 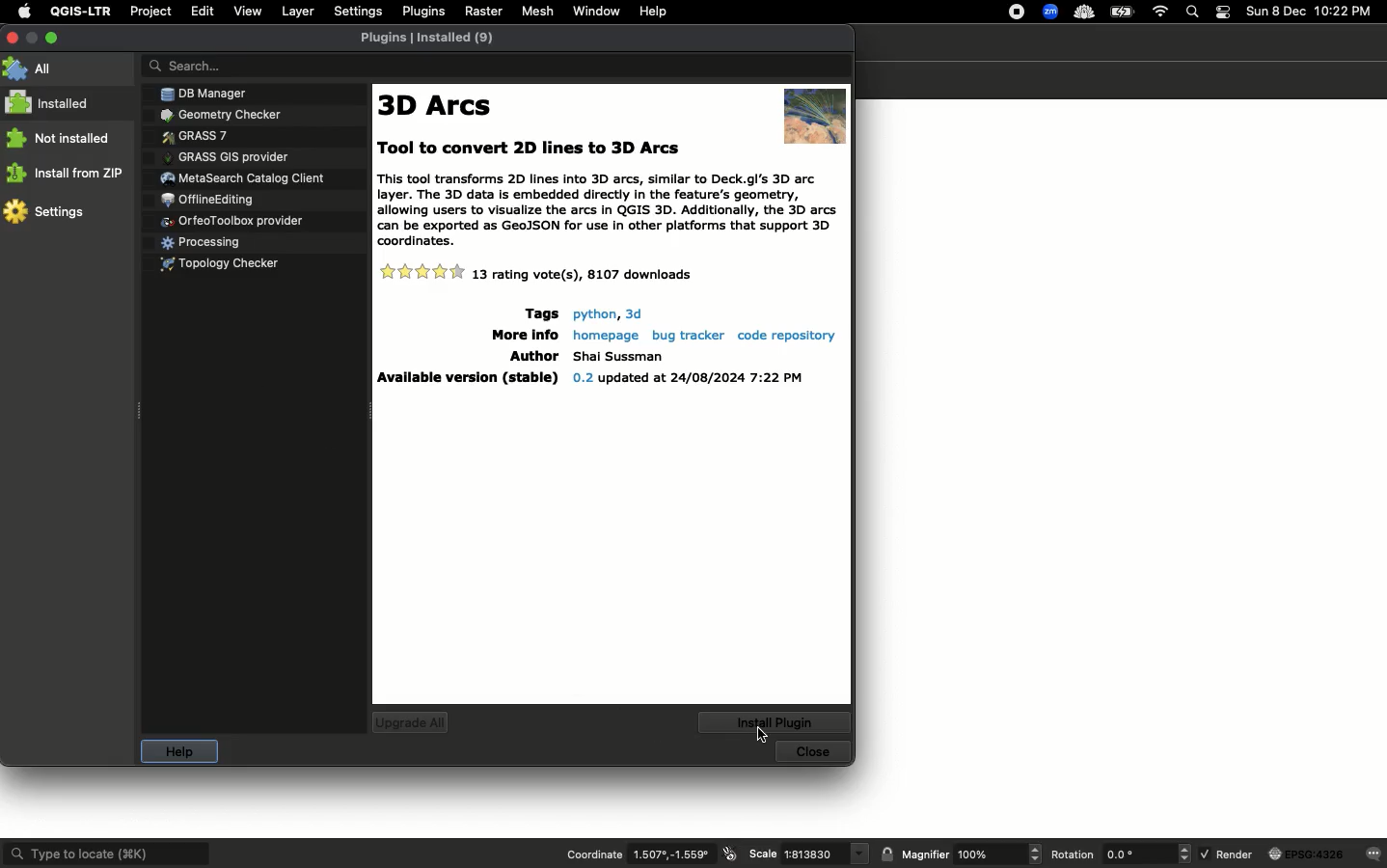 I want to click on cursor, so click(x=757, y=736).